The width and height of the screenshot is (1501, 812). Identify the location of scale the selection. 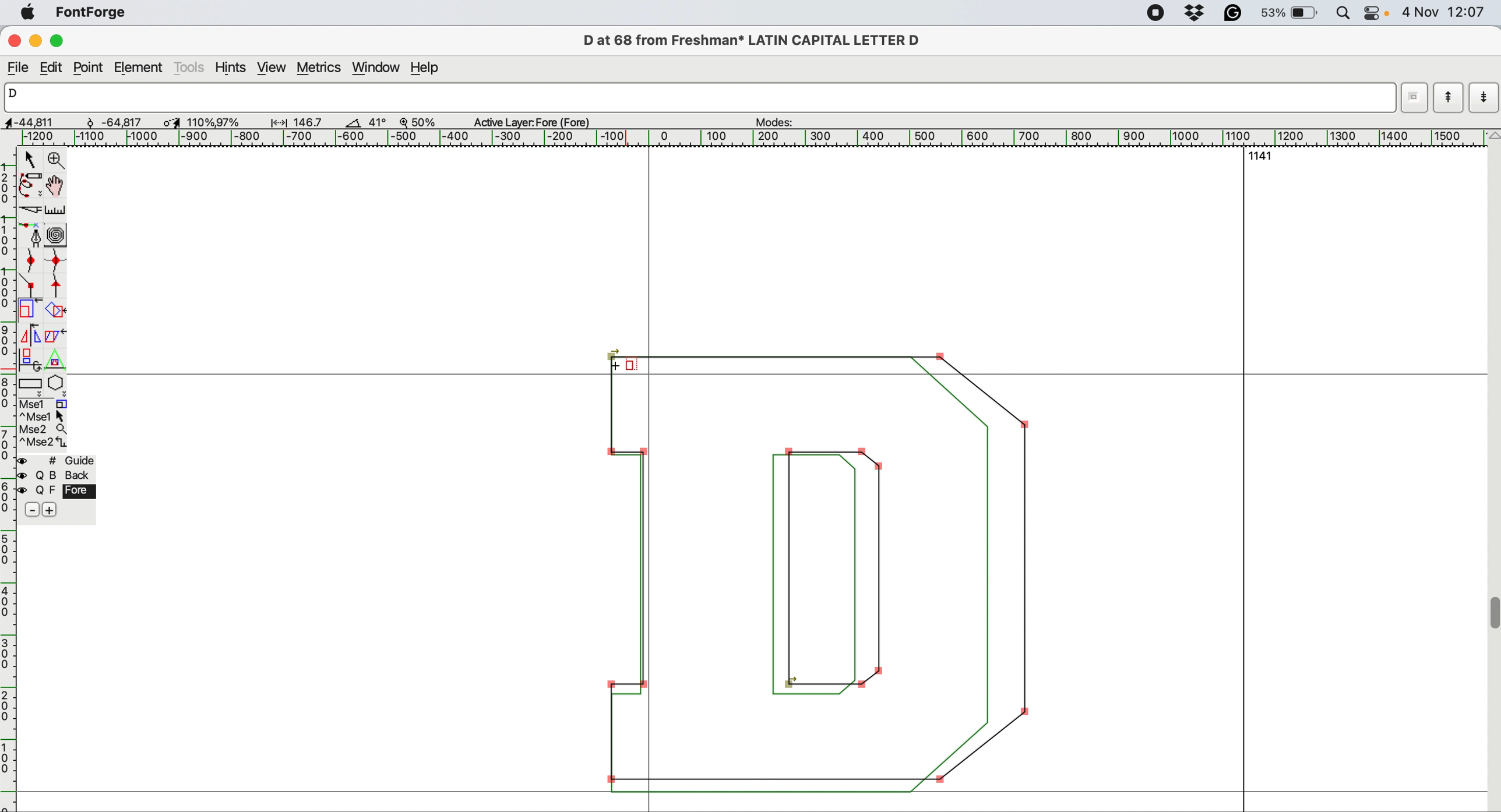
(29, 311).